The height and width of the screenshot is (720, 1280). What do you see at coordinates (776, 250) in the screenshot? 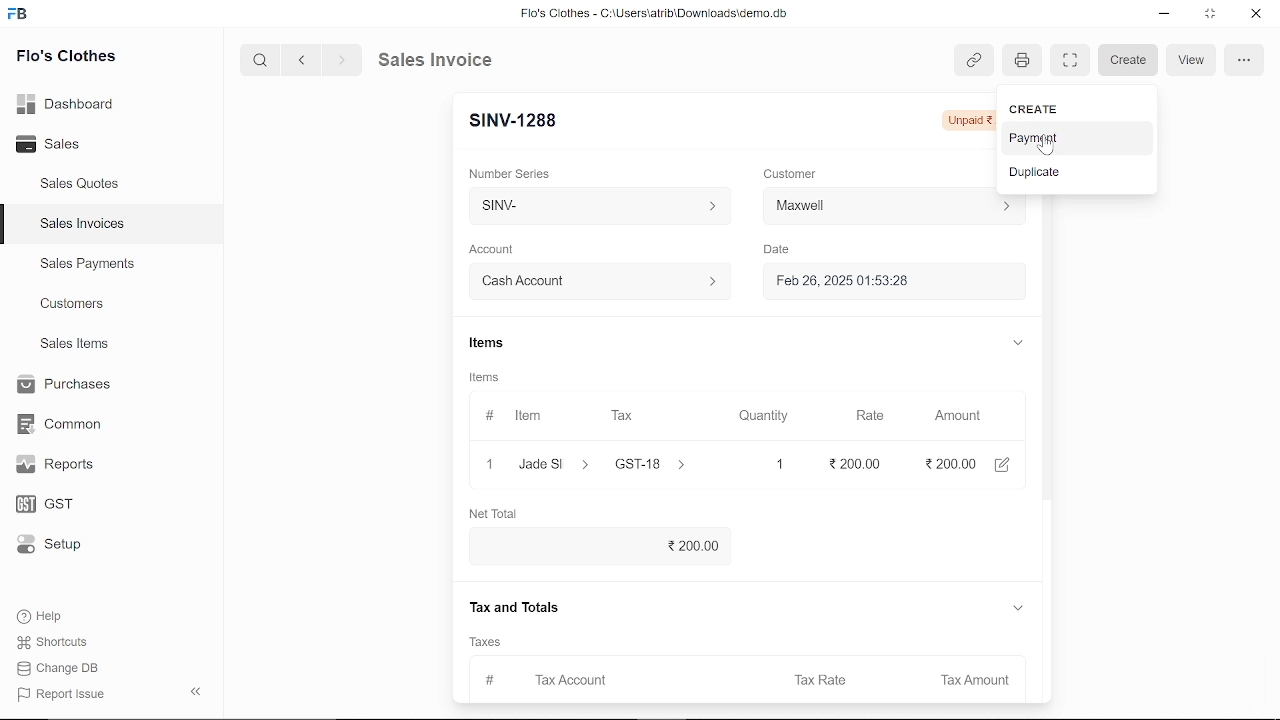
I see `Date` at bounding box center [776, 250].